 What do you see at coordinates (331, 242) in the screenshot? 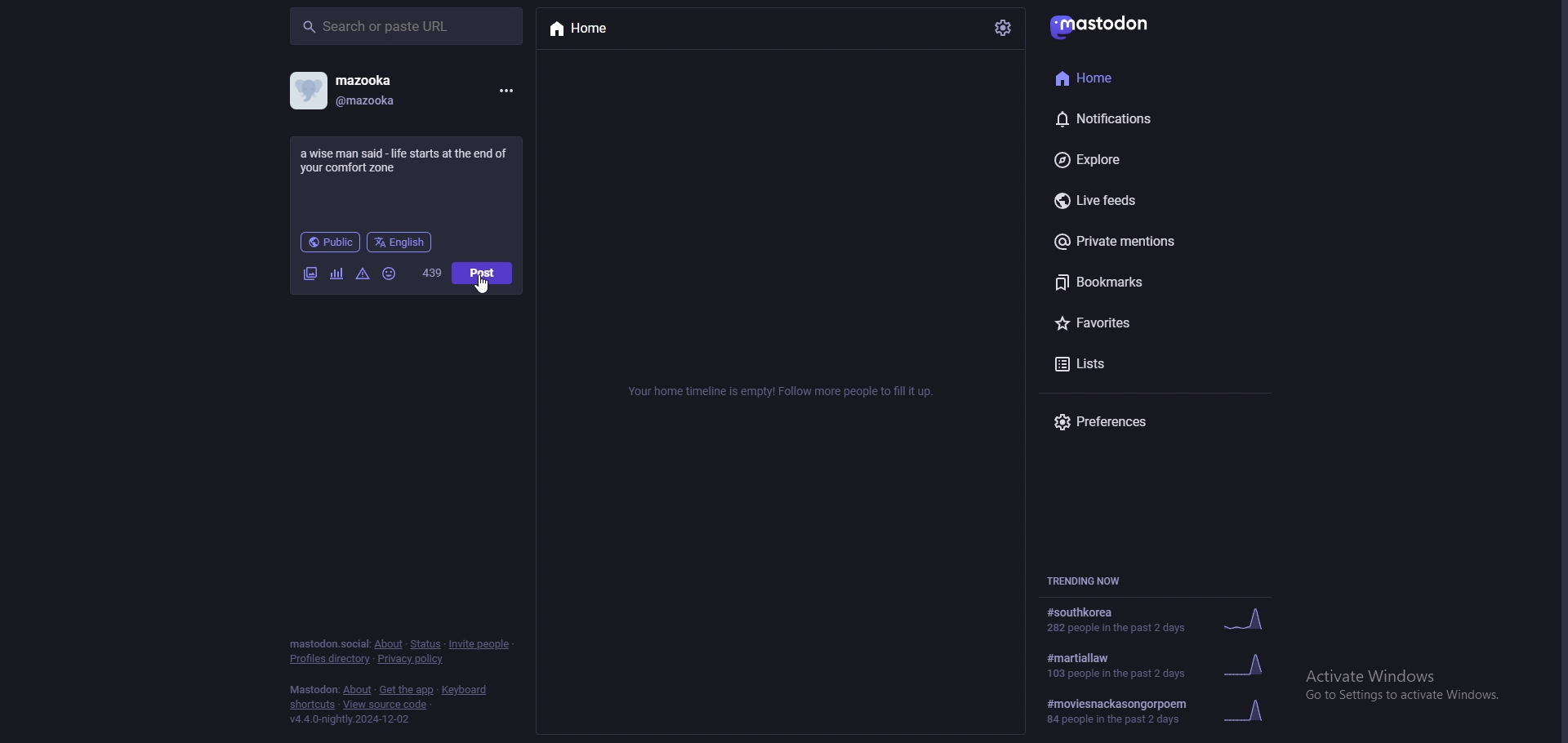
I see `audience` at bounding box center [331, 242].